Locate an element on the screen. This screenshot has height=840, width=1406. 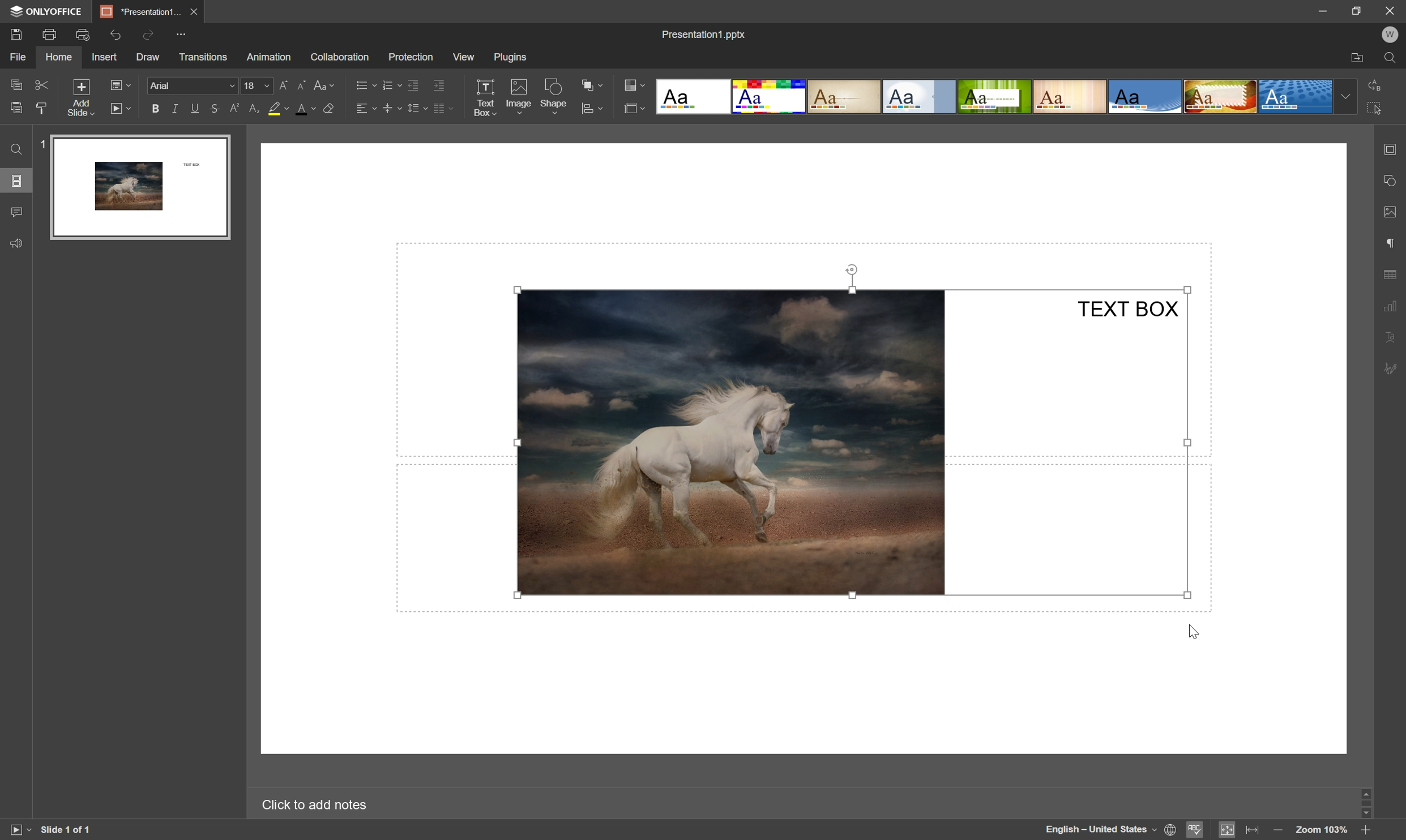
find is located at coordinates (1392, 59).